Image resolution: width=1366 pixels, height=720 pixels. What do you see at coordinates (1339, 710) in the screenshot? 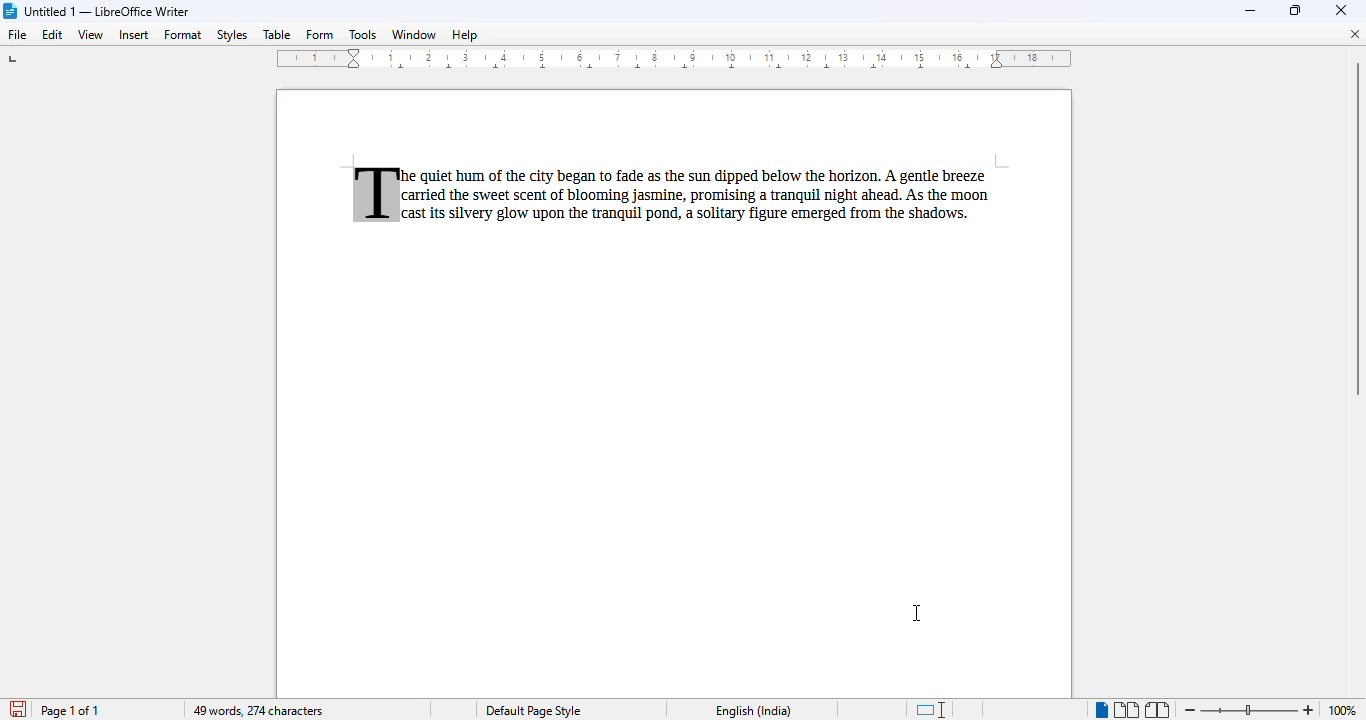
I see `100%` at bounding box center [1339, 710].